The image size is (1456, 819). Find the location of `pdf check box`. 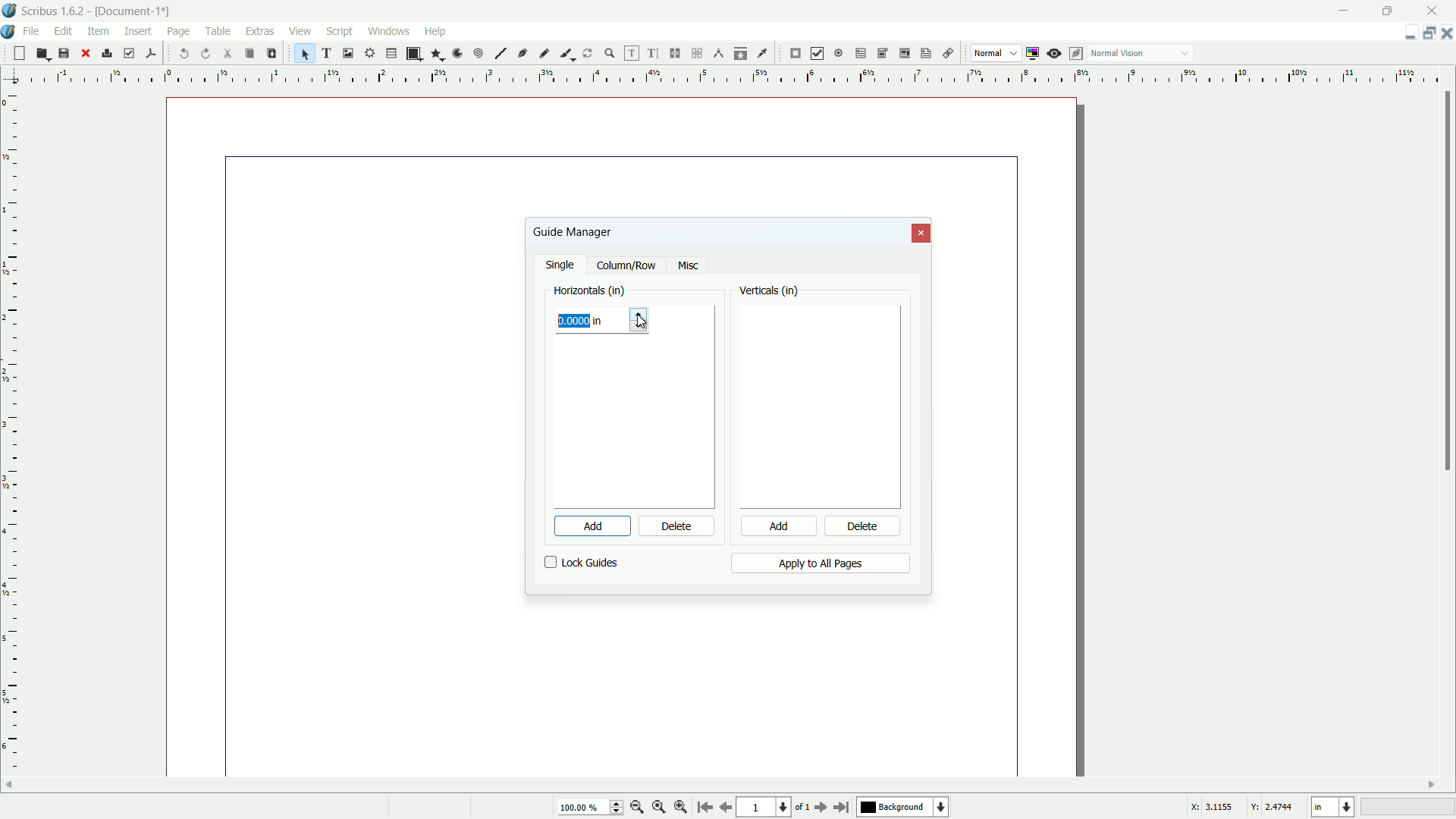

pdf check box is located at coordinates (817, 53).